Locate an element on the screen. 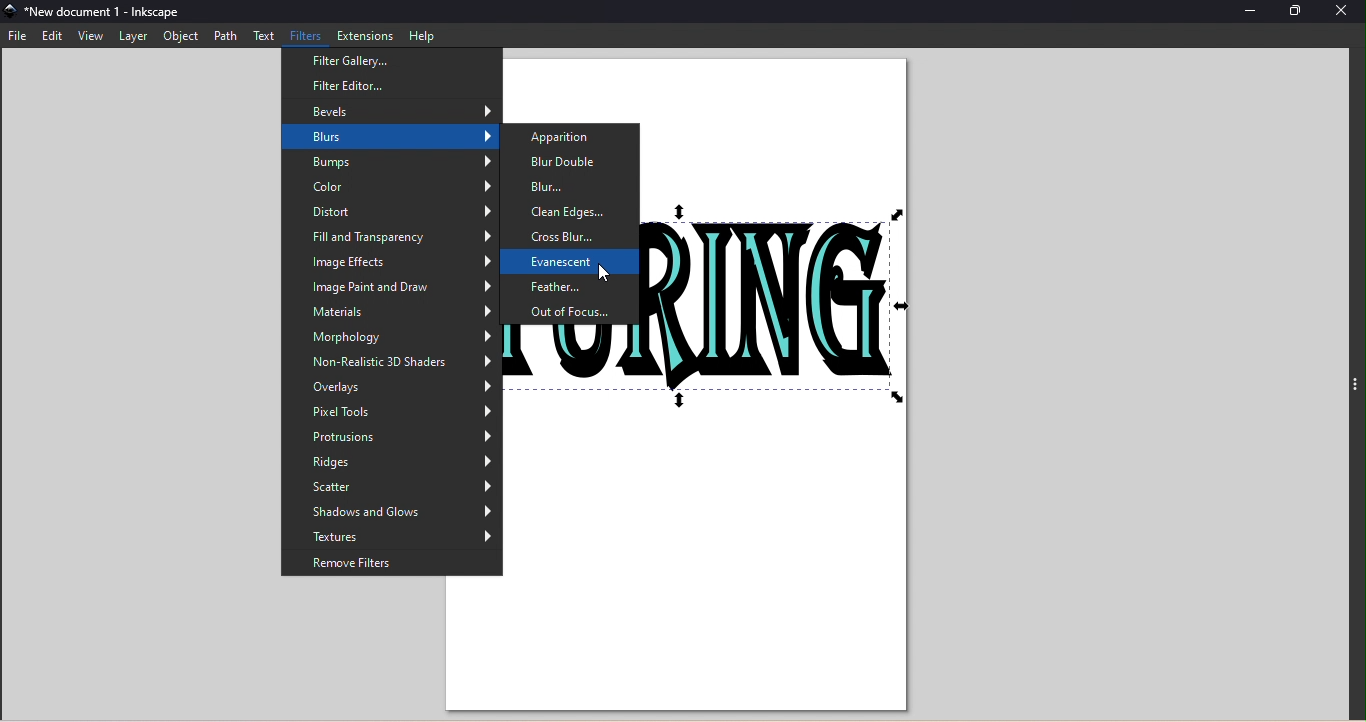 The height and width of the screenshot is (722, 1366). Help is located at coordinates (423, 35).